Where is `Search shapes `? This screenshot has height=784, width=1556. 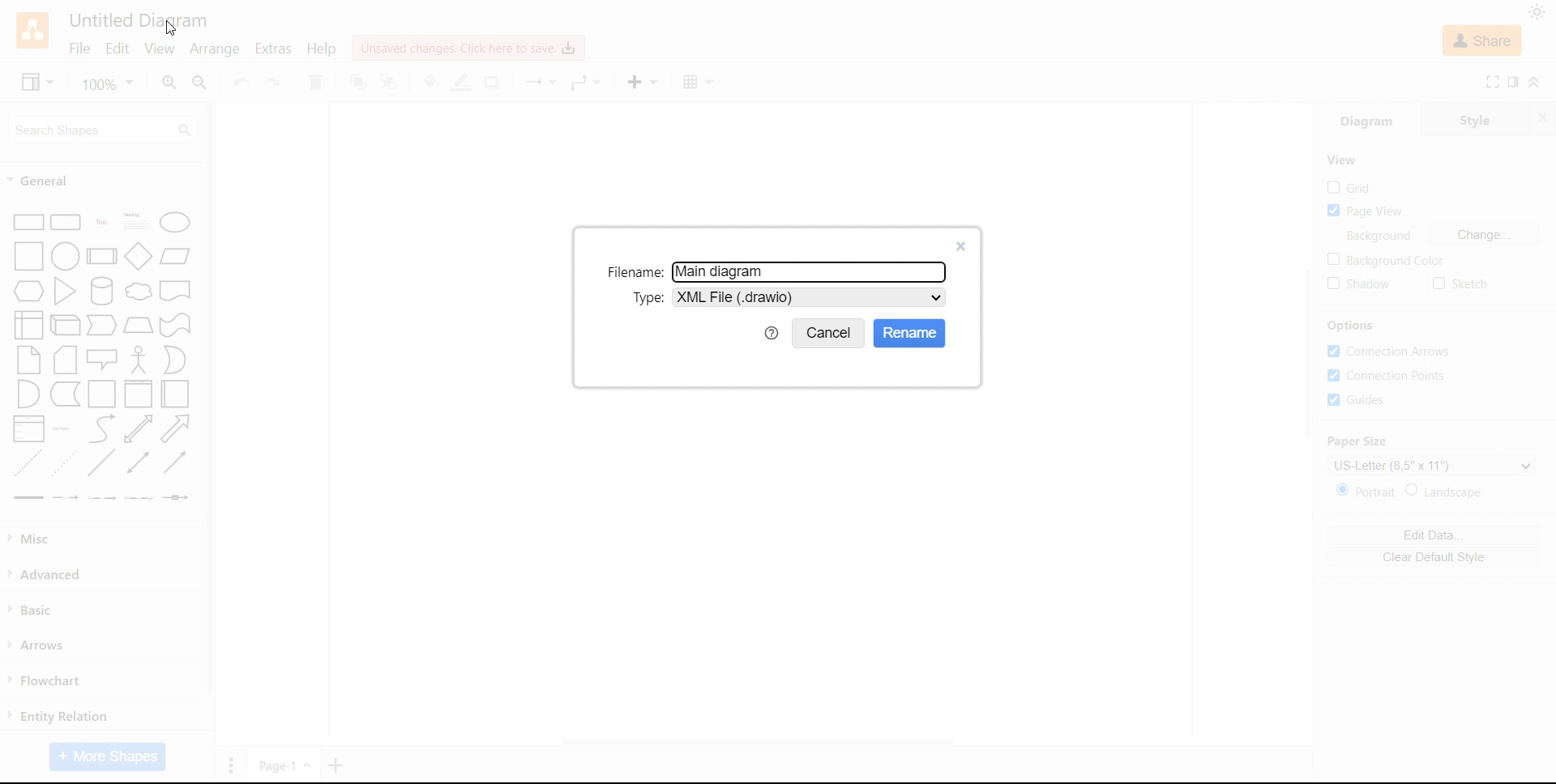 Search shapes  is located at coordinates (104, 129).